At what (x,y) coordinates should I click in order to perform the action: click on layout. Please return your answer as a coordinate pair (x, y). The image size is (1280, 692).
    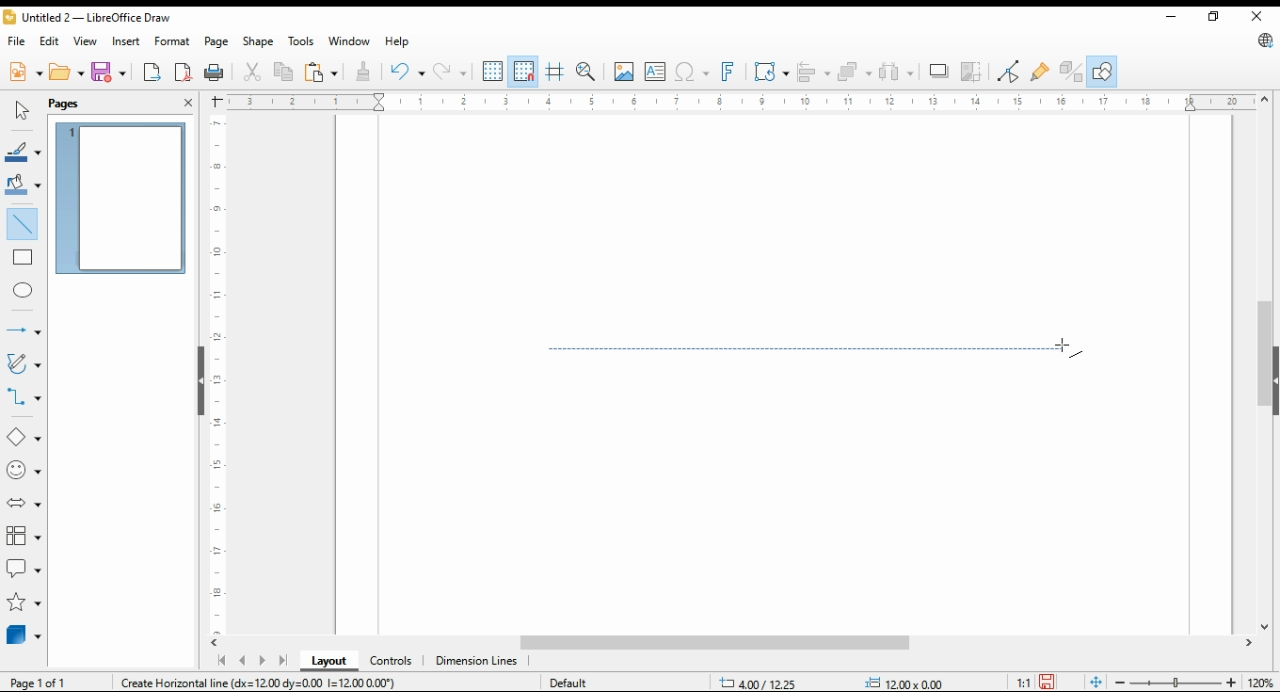
    Looking at the image, I should click on (330, 661).